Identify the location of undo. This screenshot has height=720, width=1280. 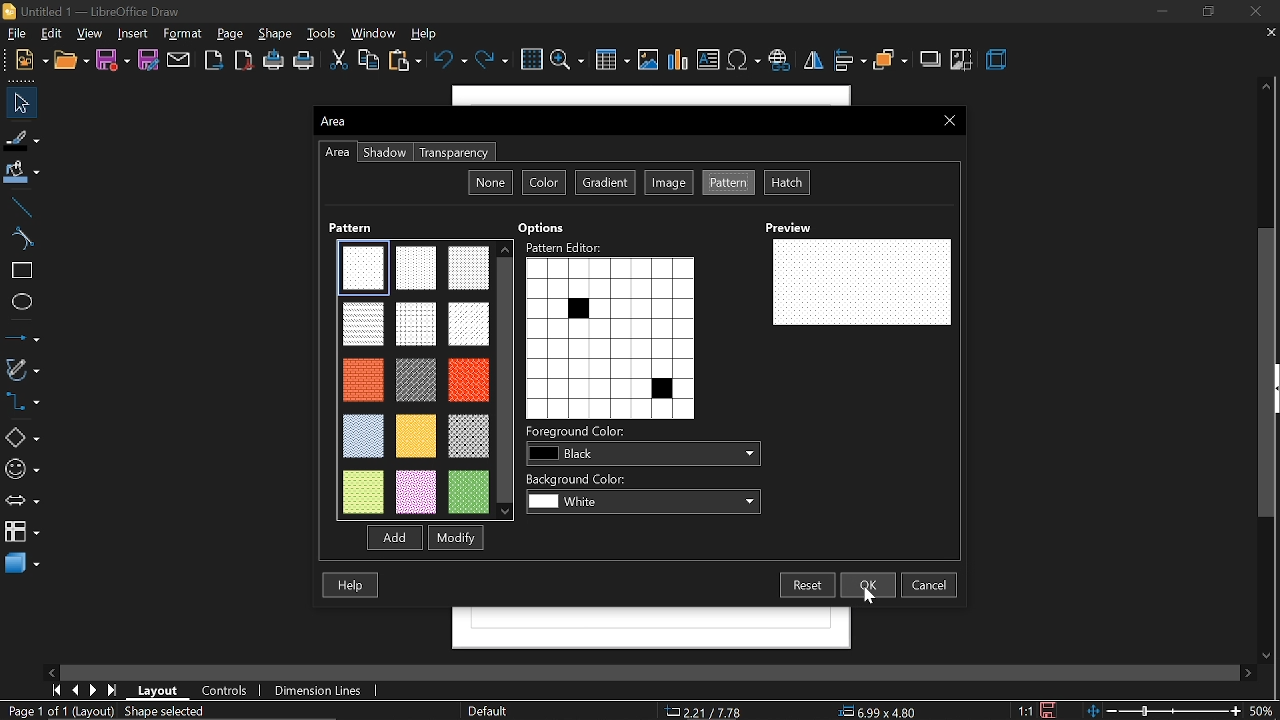
(449, 61).